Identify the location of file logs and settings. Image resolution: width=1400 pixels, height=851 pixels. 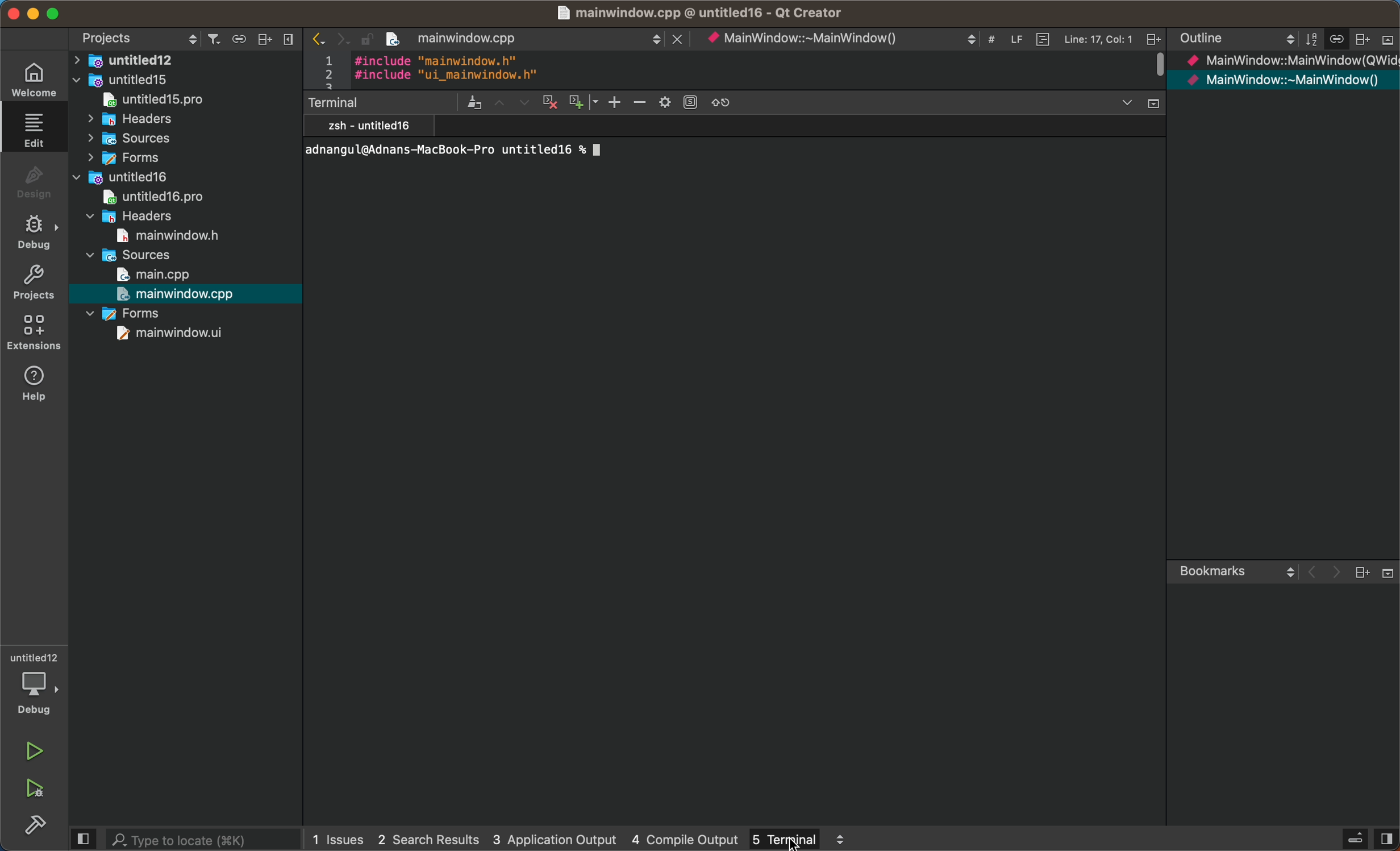
(932, 39).